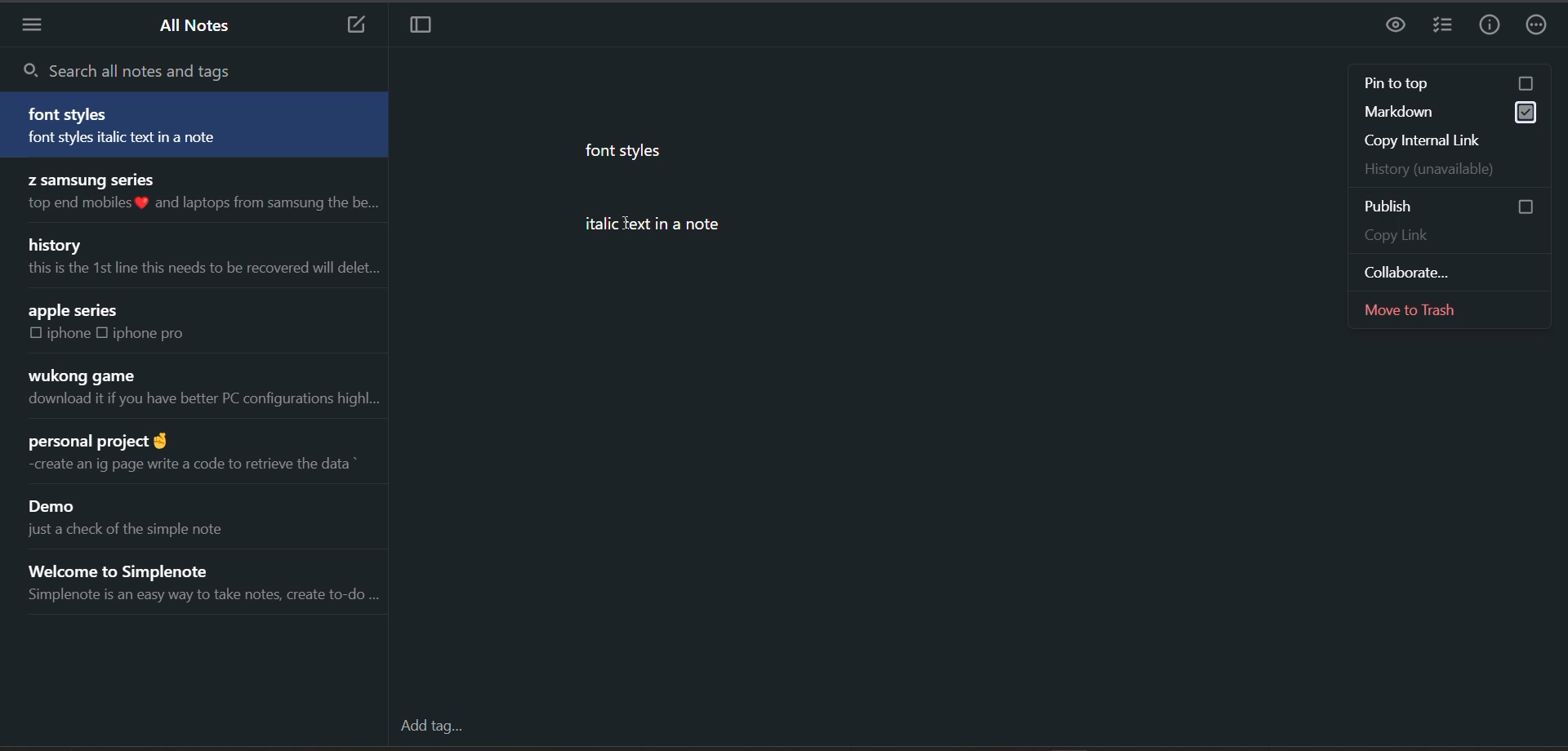  Describe the element at coordinates (1397, 24) in the screenshot. I see `preview` at that location.